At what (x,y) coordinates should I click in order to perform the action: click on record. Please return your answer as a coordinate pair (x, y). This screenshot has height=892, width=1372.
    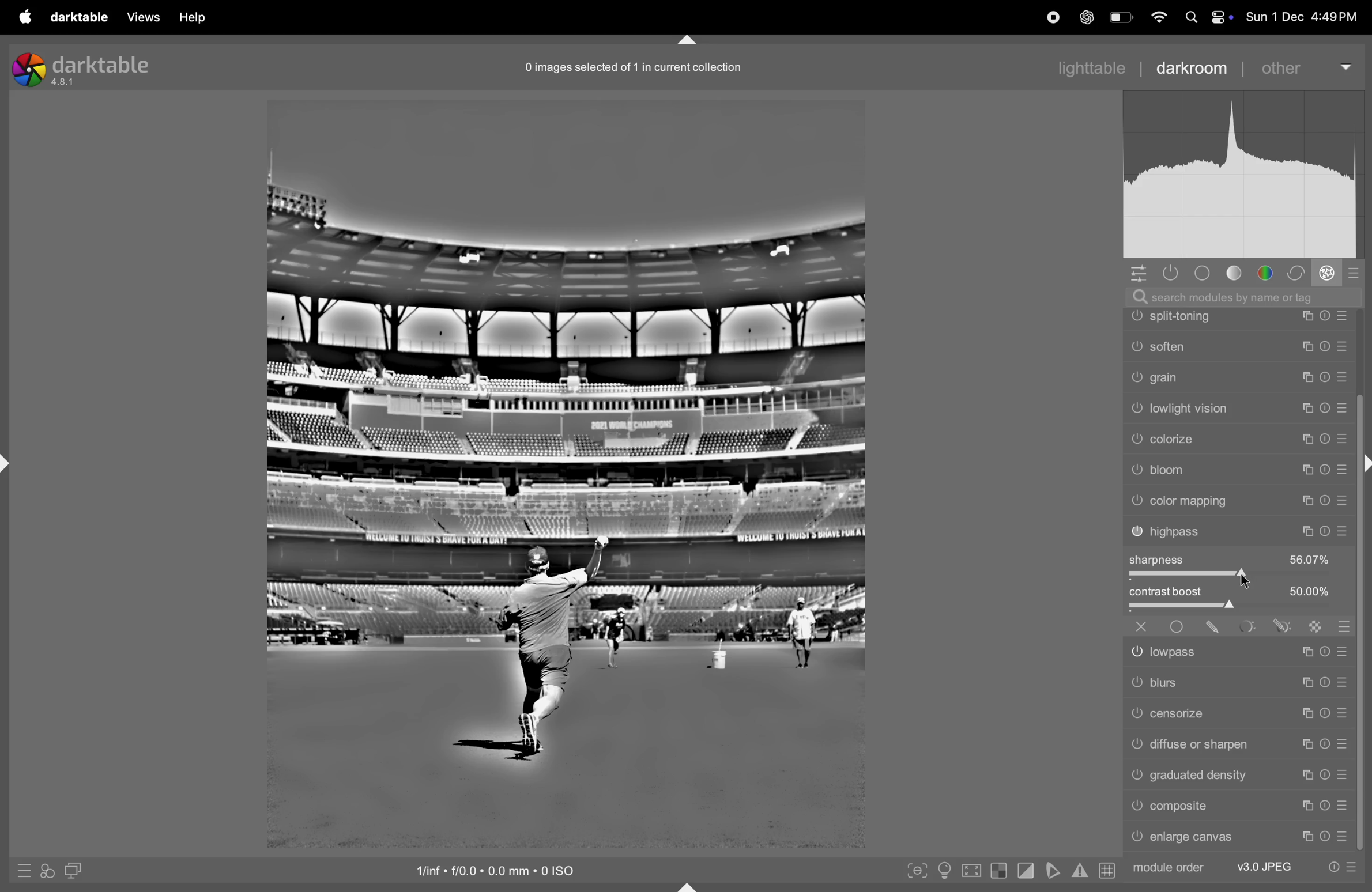
    Looking at the image, I should click on (1046, 17).